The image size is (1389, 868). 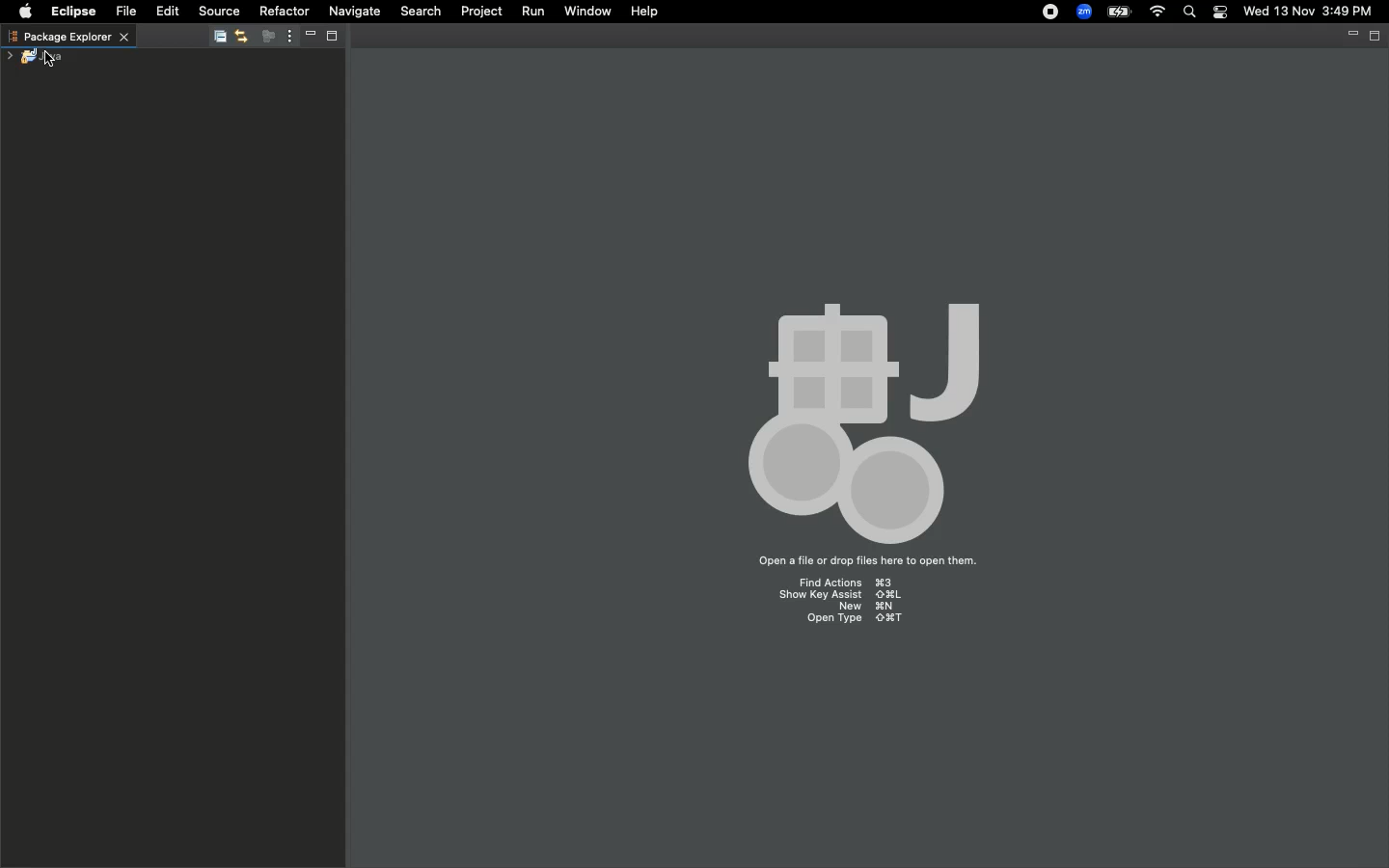 What do you see at coordinates (218, 38) in the screenshot?
I see `Collapse all` at bounding box center [218, 38].